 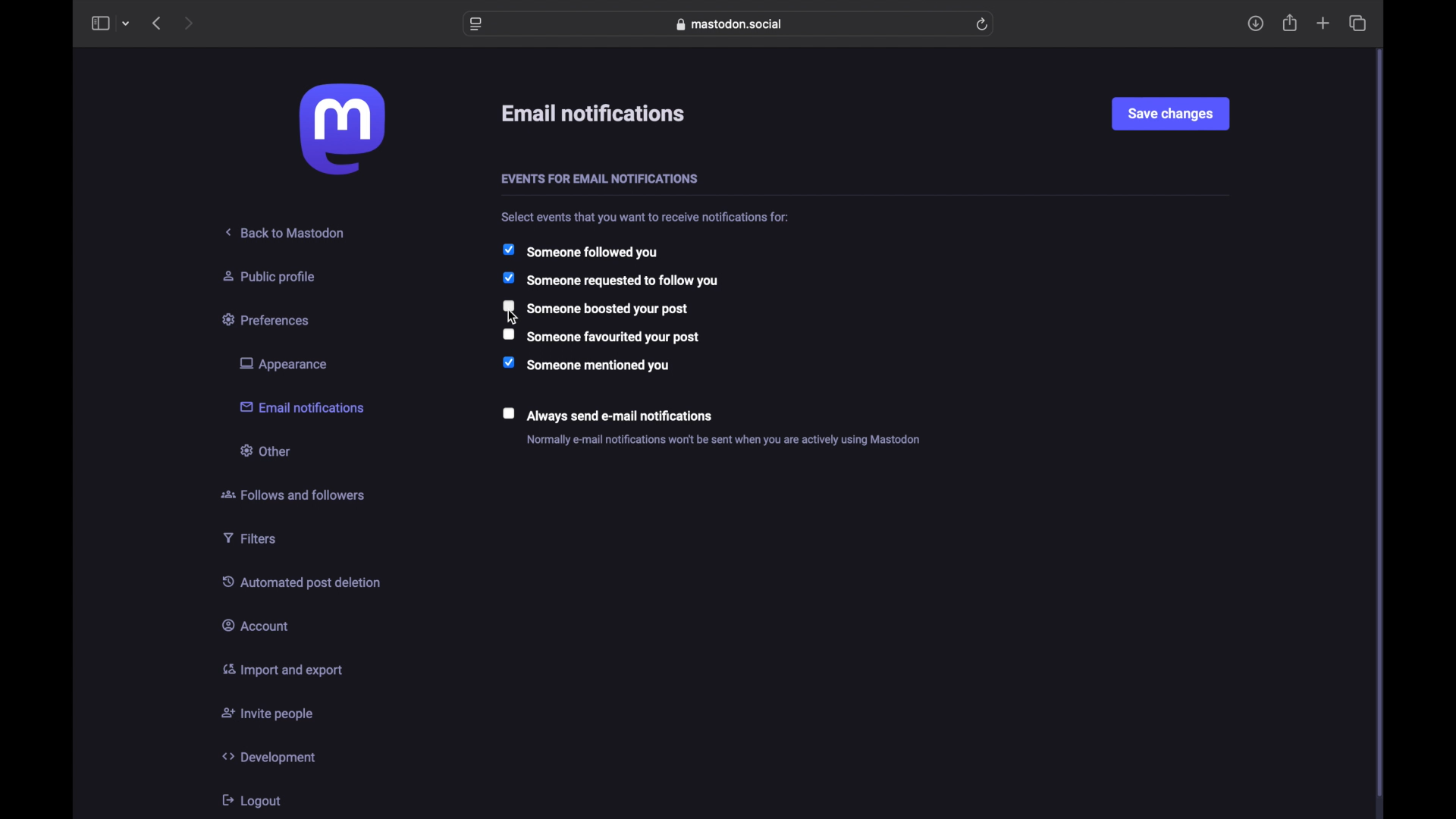 I want to click on scroll bar, so click(x=1380, y=425).